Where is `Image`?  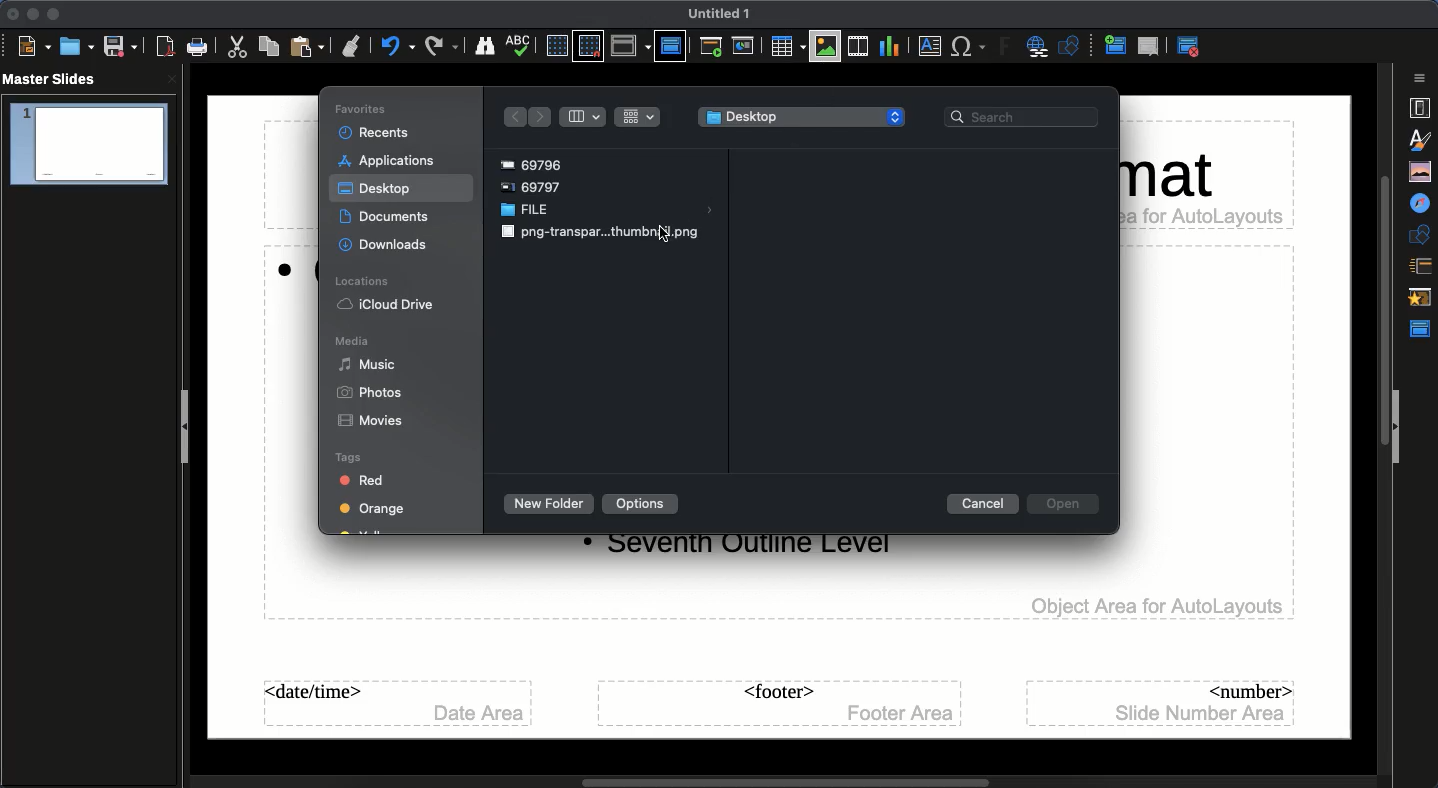 Image is located at coordinates (600, 234).